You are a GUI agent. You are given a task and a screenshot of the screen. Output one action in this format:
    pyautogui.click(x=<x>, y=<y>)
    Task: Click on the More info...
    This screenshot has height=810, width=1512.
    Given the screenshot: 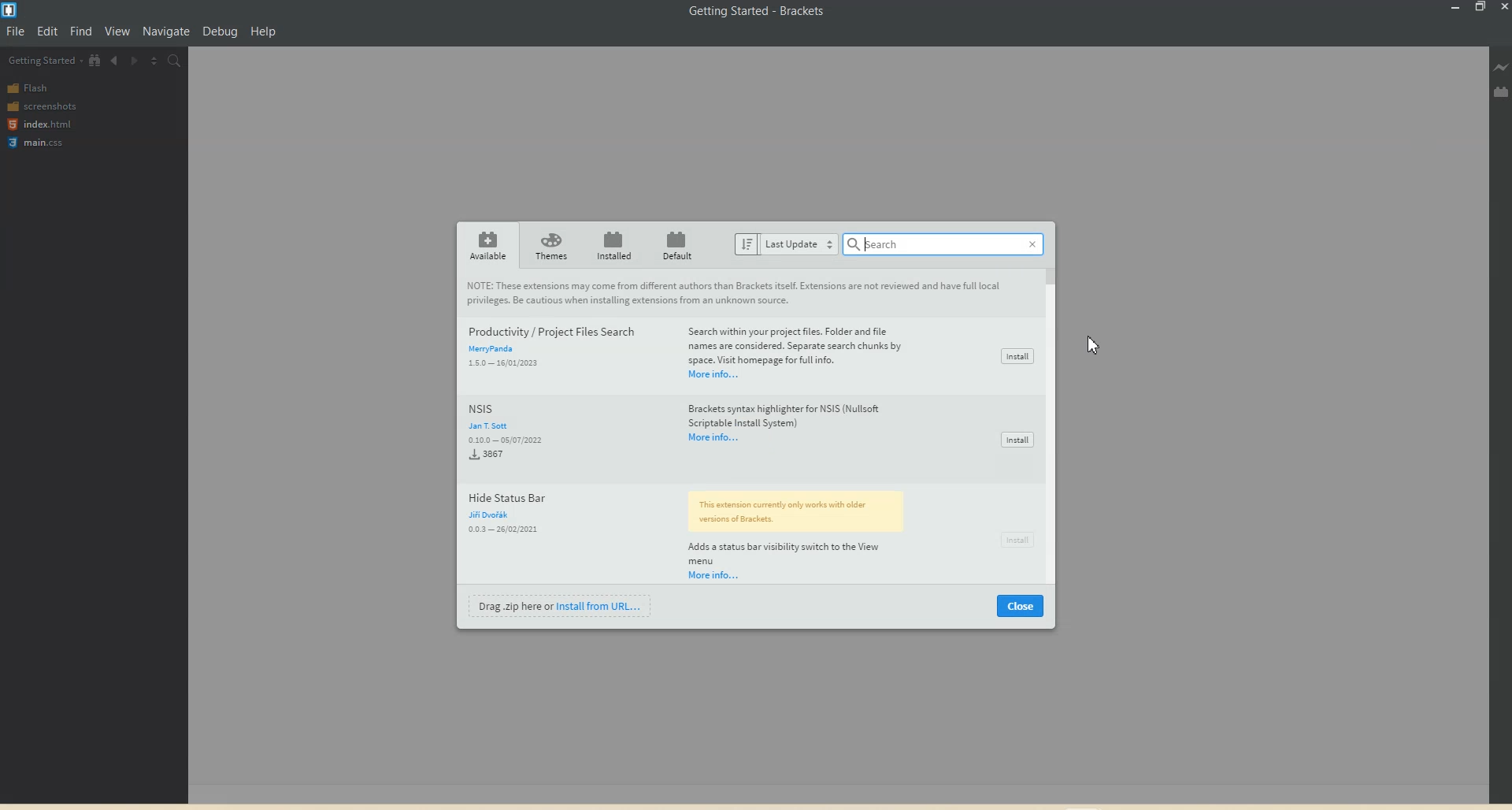 What is the action you would take?
    pyautogui.click(x=713, y=375)
    